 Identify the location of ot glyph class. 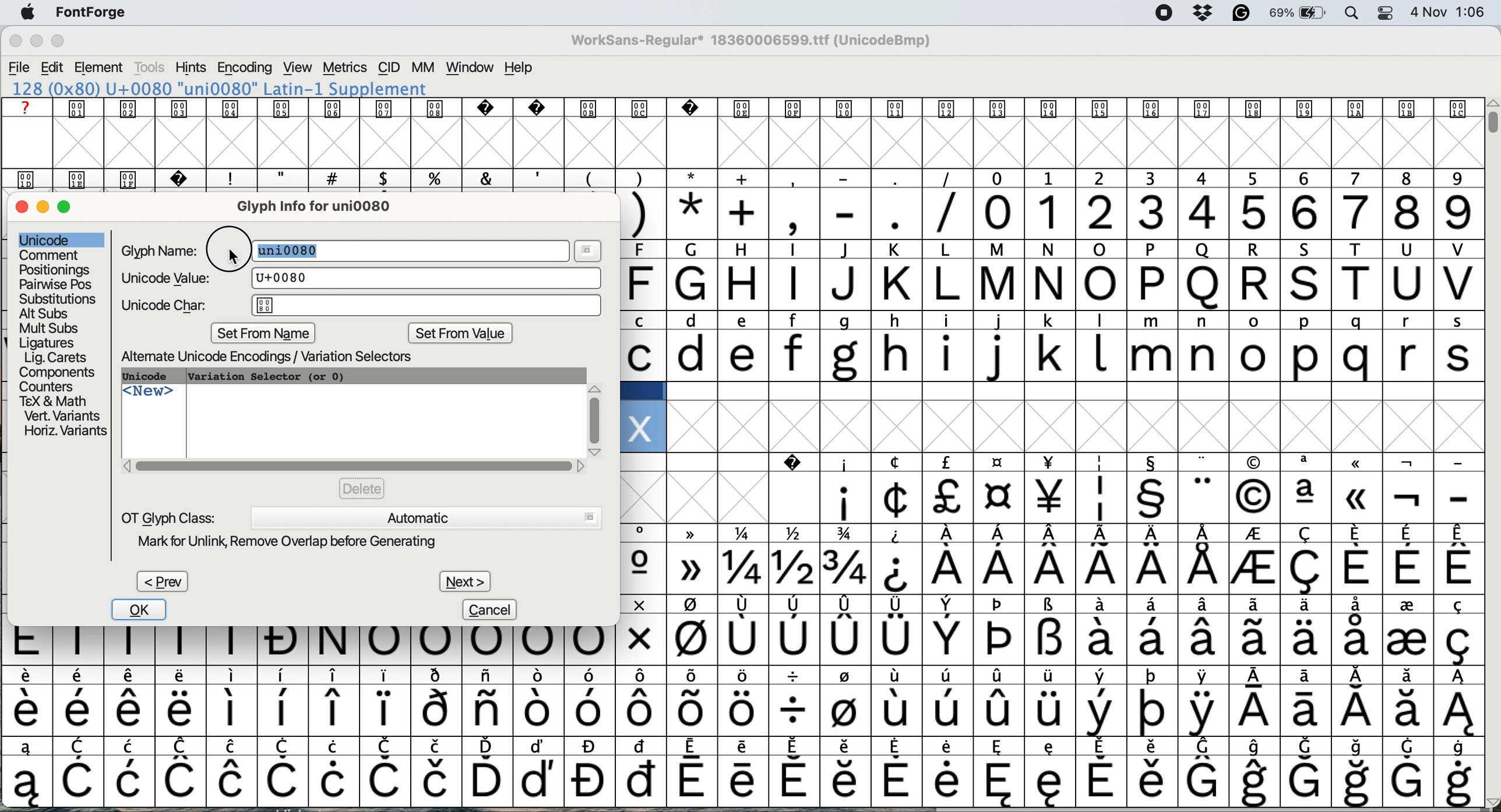
(169, 517).